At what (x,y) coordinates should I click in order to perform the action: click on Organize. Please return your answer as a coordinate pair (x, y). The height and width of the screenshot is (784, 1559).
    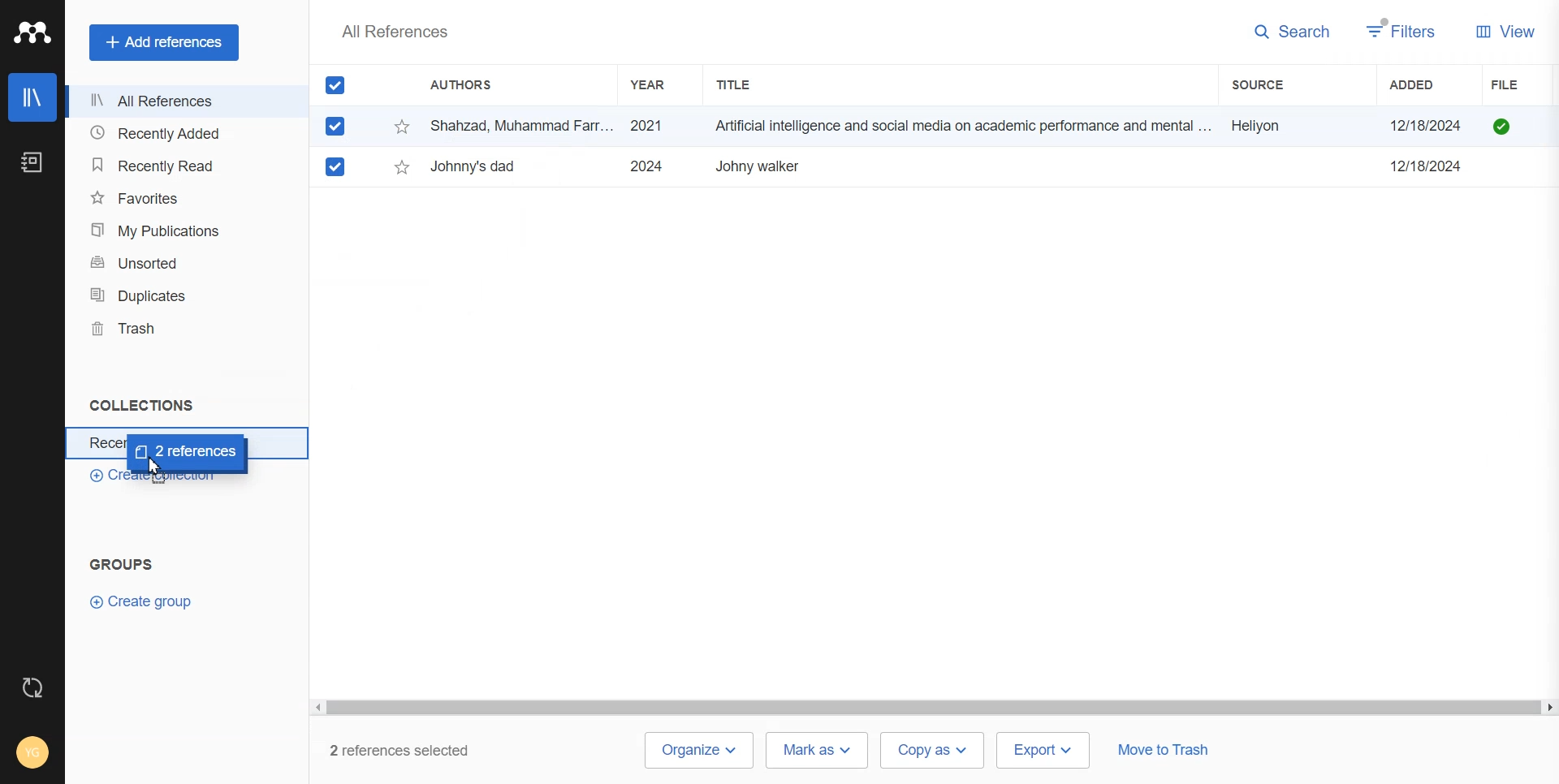
    Looking at the image, I should click on (697, 751).